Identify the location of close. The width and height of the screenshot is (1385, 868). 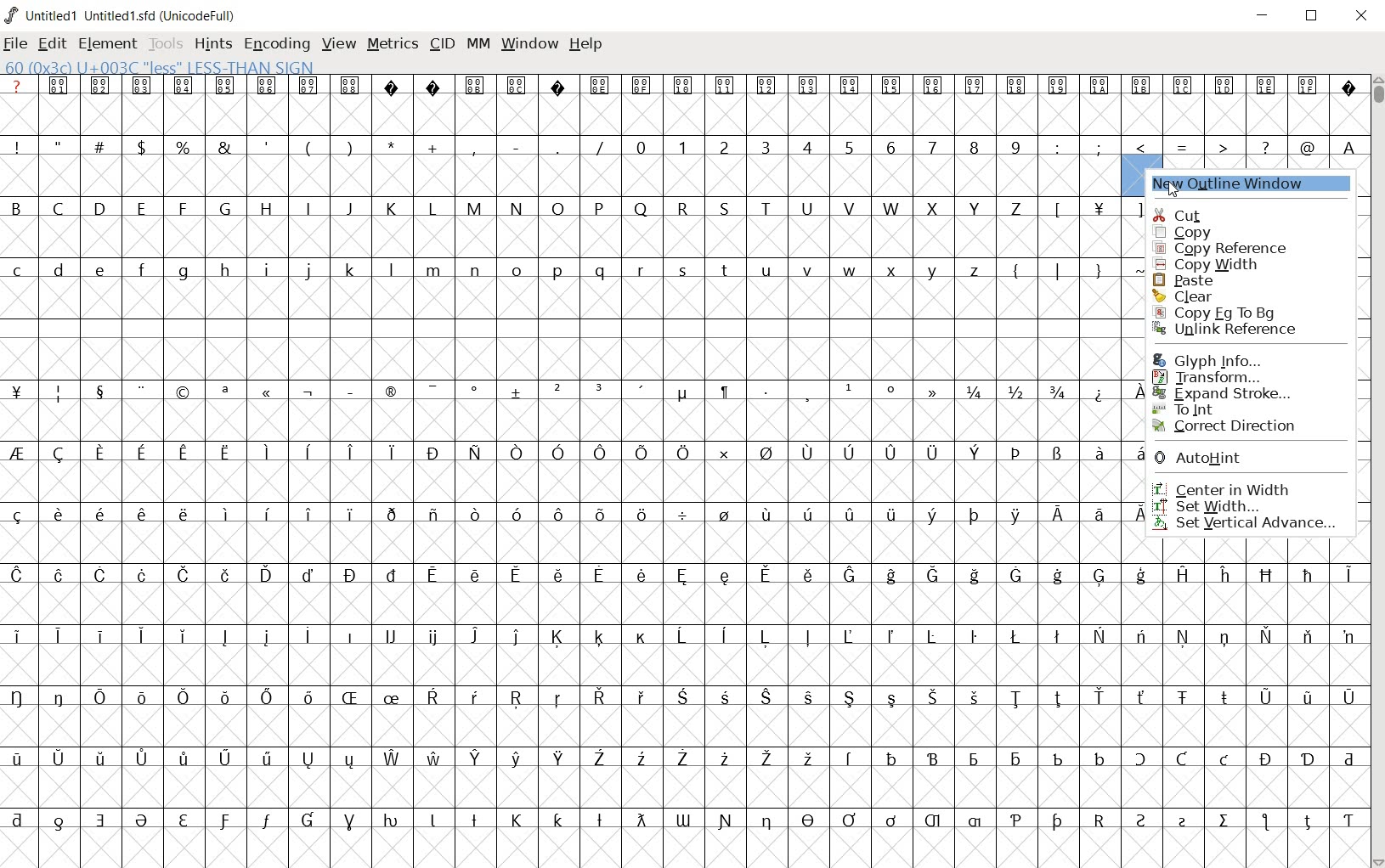
(1363, 17).